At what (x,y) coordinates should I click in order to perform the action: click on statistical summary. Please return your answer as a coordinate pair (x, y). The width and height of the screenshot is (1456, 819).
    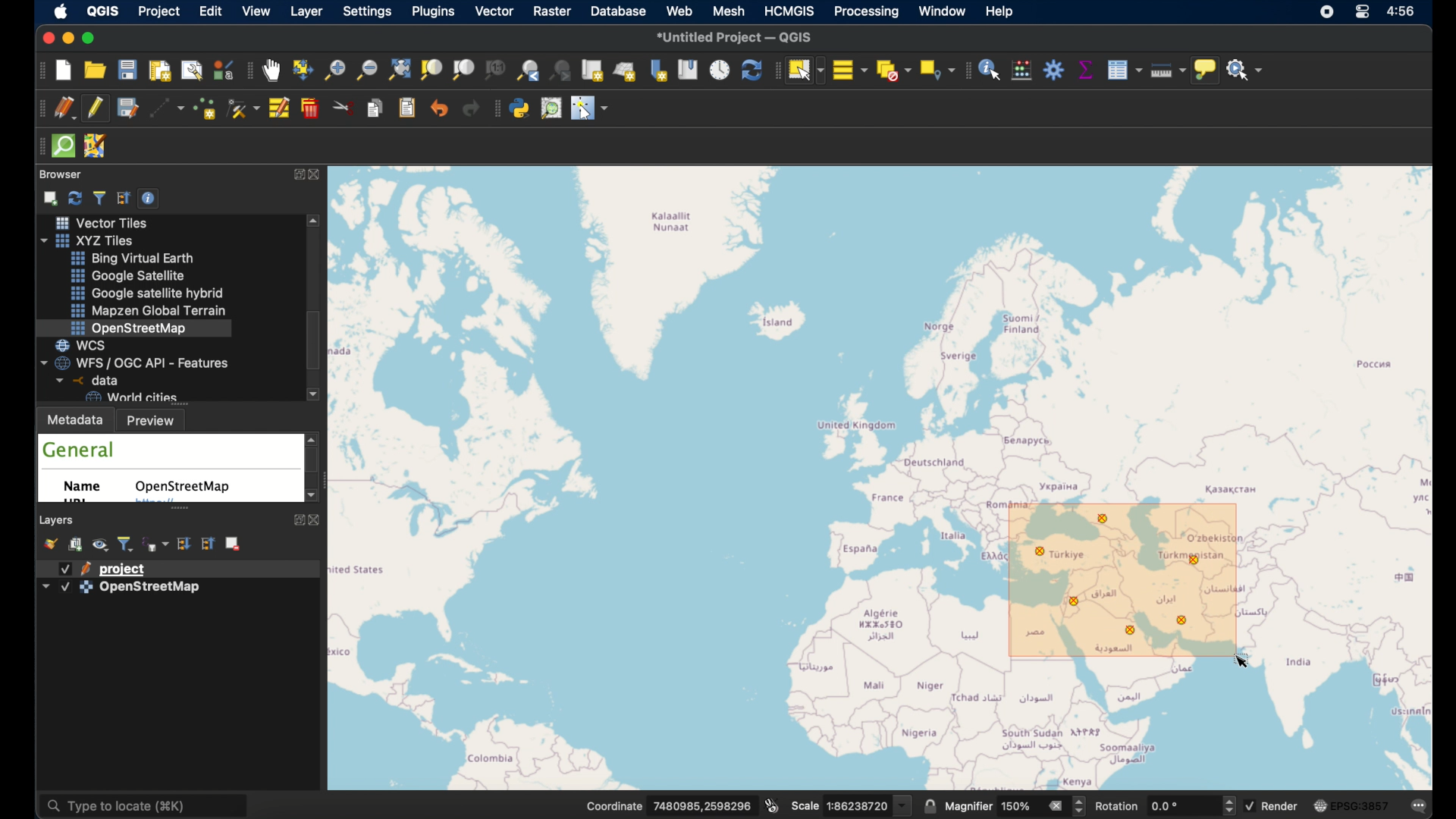
    Looking at the image, I should click on (1084, 70).